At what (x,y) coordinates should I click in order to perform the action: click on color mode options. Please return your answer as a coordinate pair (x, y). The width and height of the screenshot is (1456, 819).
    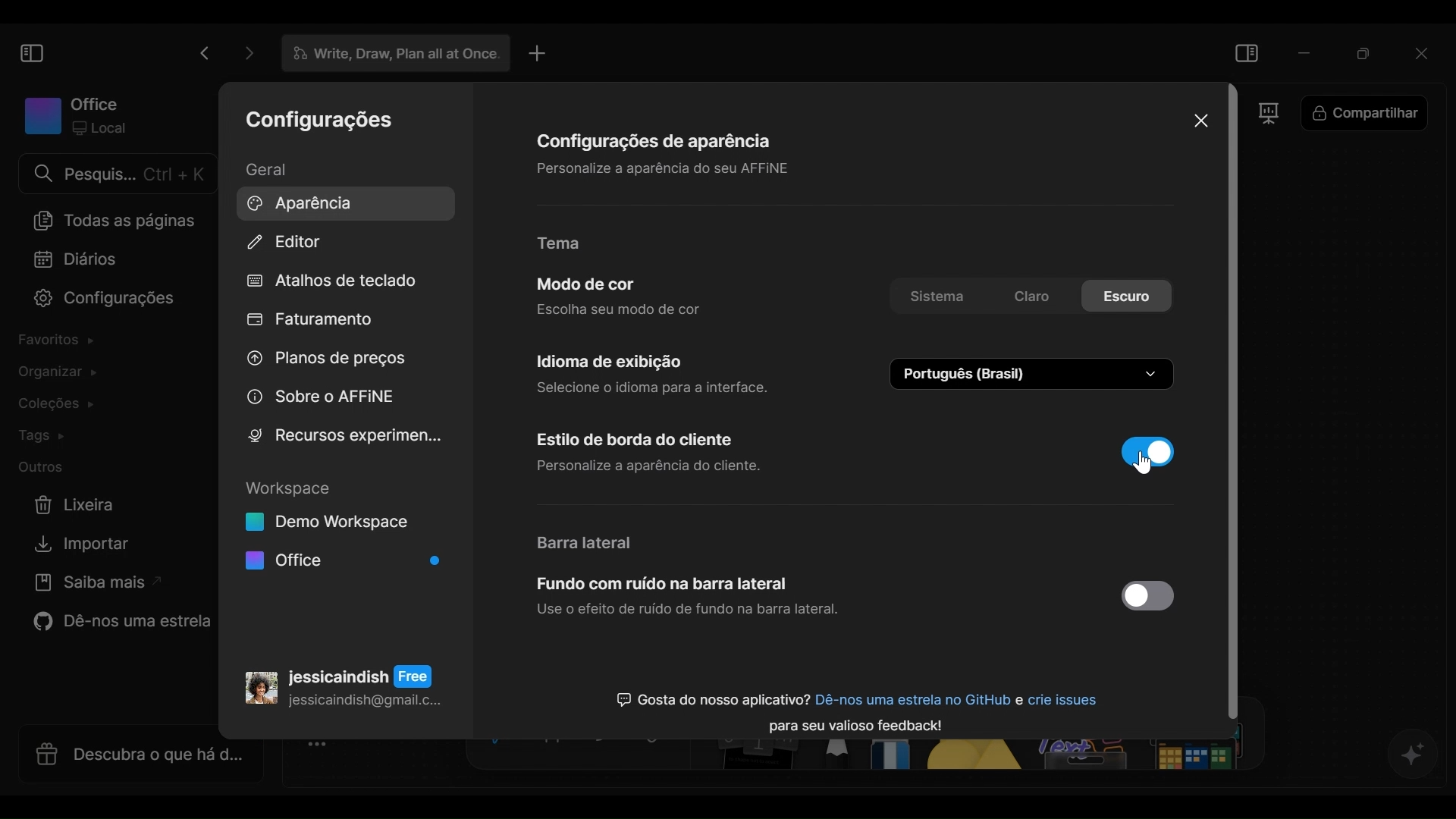
    Looking at the image, I should click on (1031, 298).